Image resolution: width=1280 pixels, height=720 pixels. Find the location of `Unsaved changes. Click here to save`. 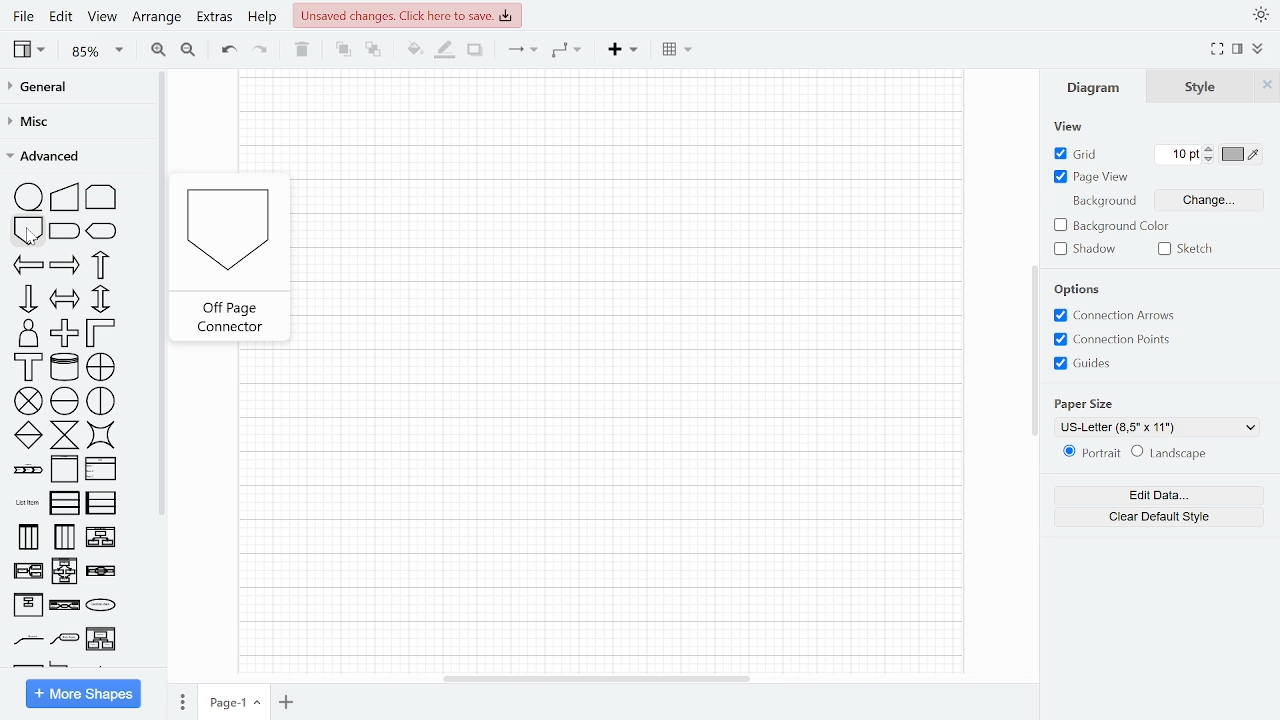

Unsaved changes. Click here to save is located at coordinates (406, 15).